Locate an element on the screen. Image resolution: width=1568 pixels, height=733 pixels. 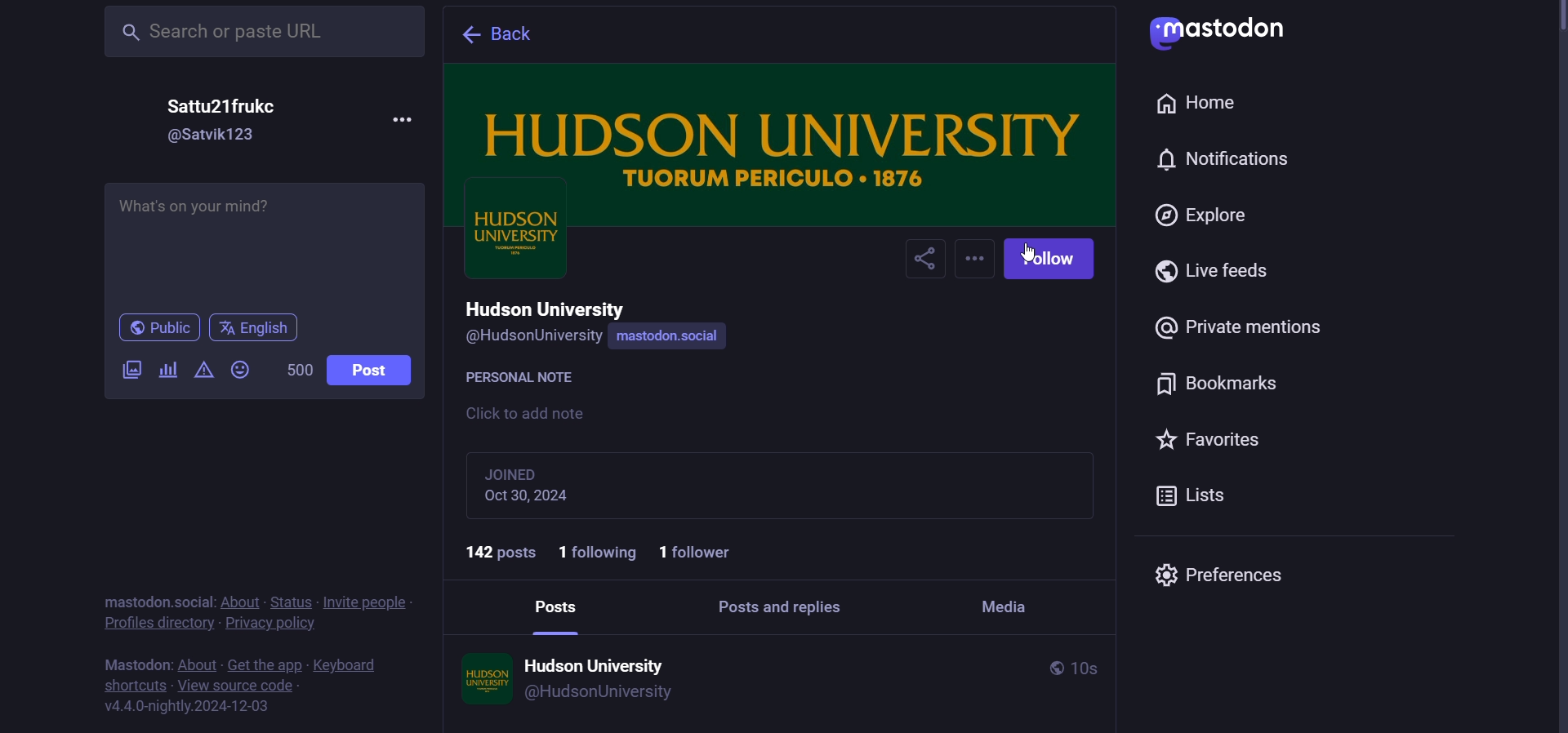
10s is located at coordinates (1105, 669).